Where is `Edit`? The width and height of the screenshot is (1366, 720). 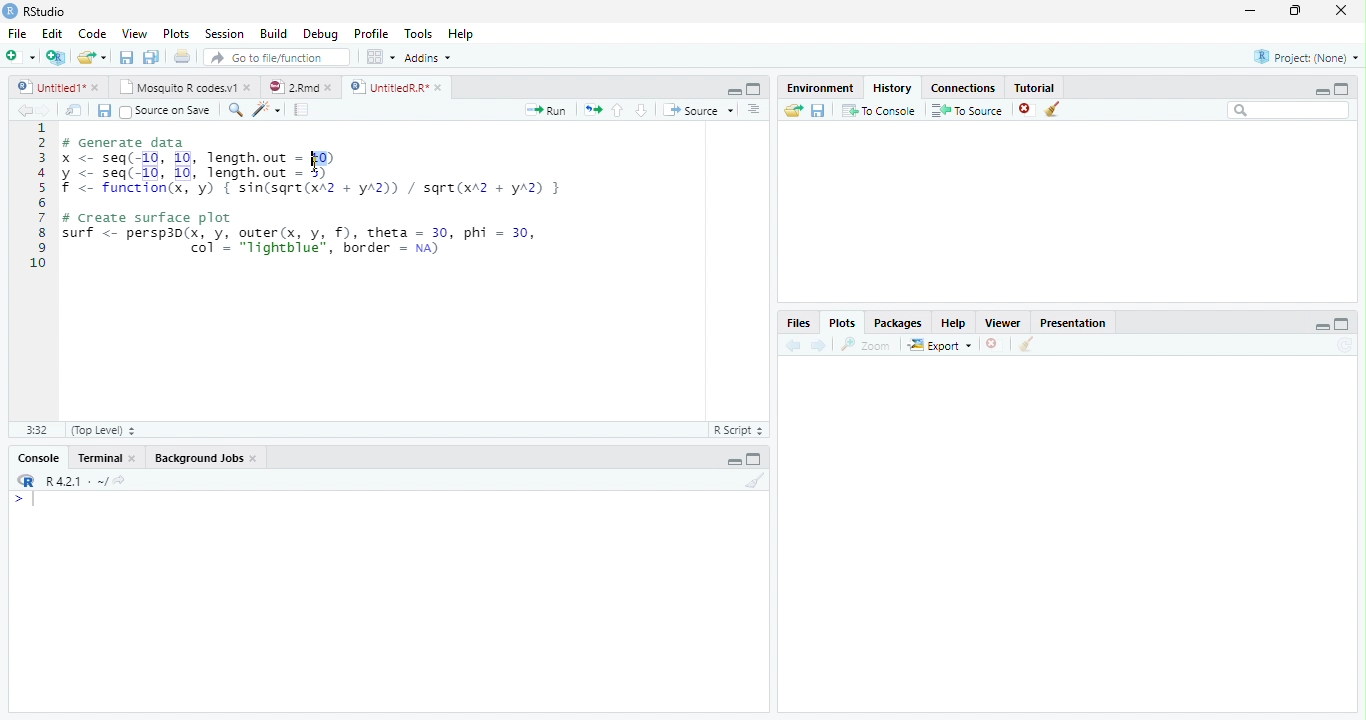 Edit is located at coordinates (51, 33).